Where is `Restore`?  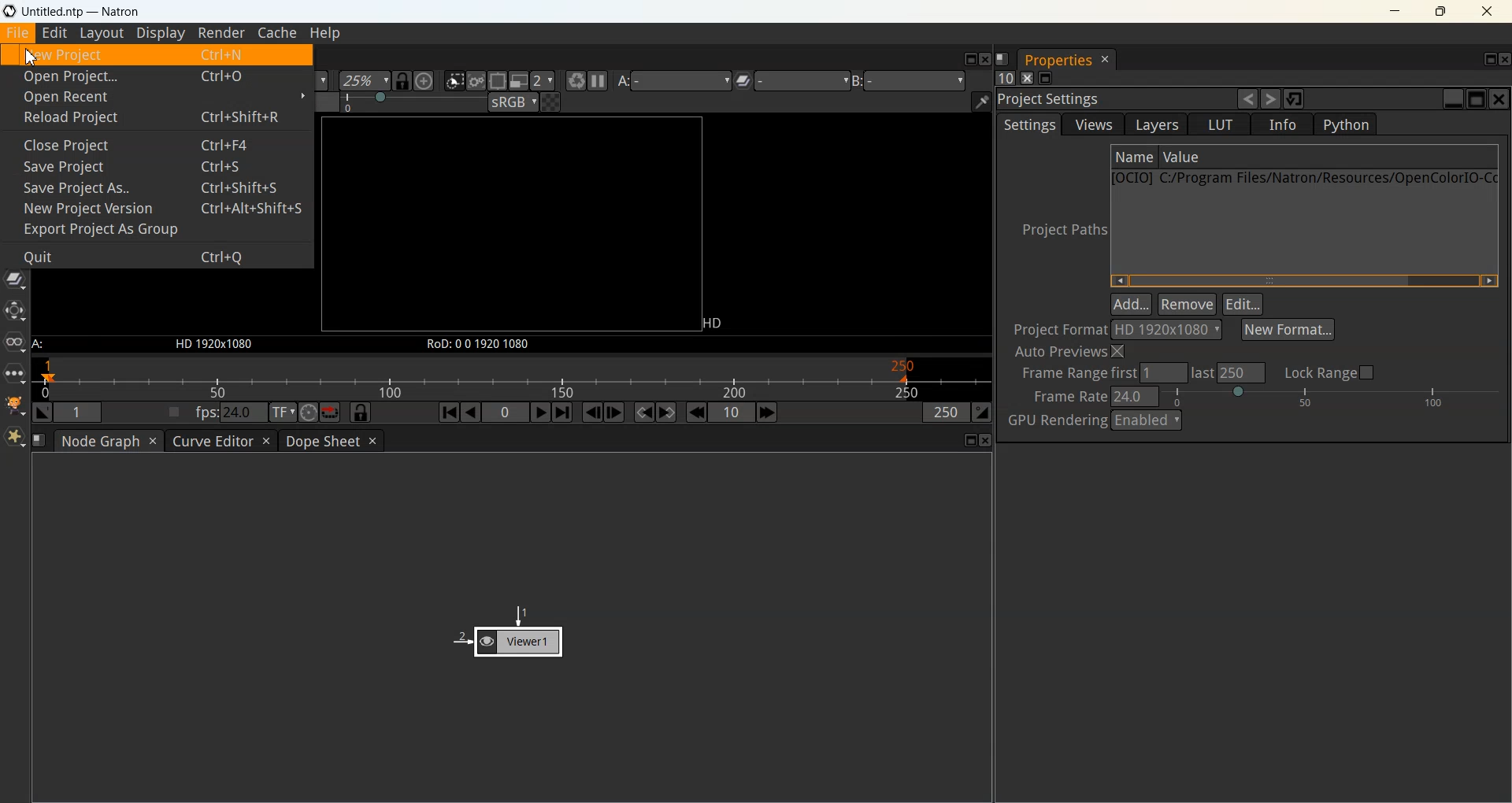 Restore is located at coordinates (1295, 98).